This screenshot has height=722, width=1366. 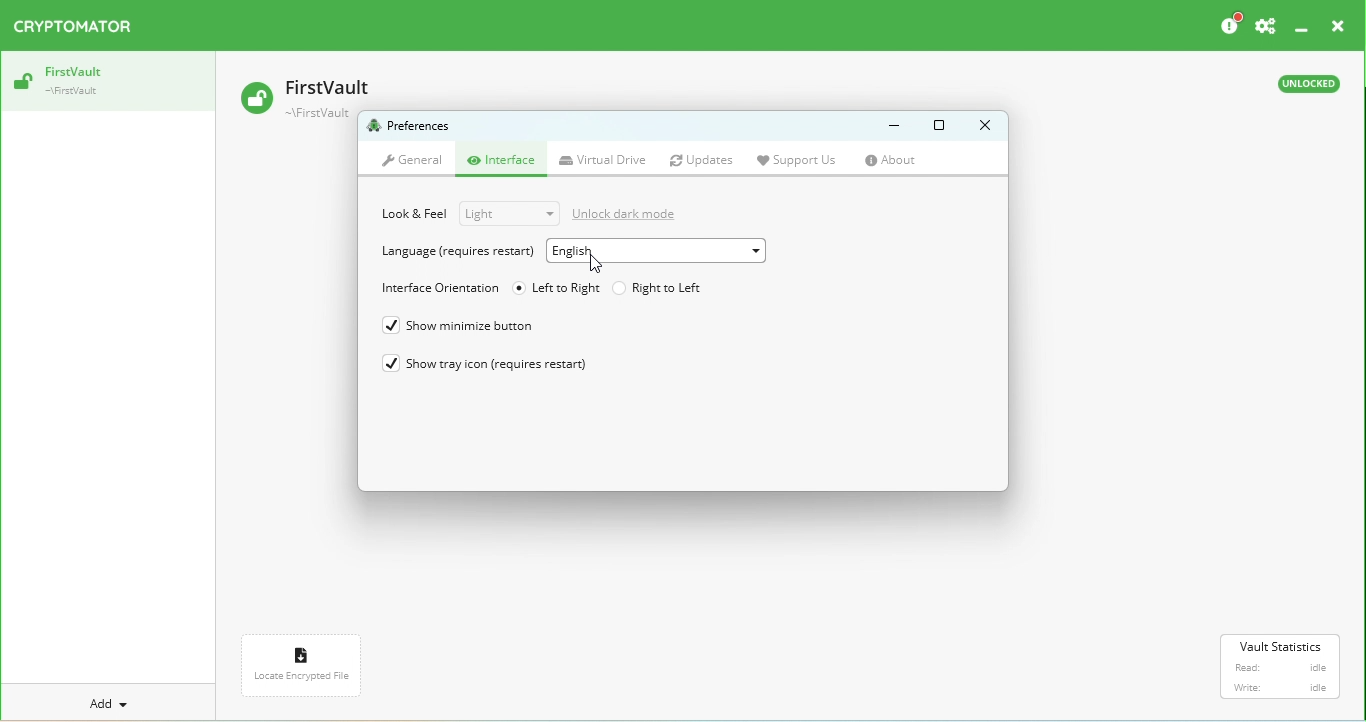 What do you see at coordinates (489, 361) in the screenshot?
I see `Show tray icon (requires restart)` at bounding box center [489, 361].